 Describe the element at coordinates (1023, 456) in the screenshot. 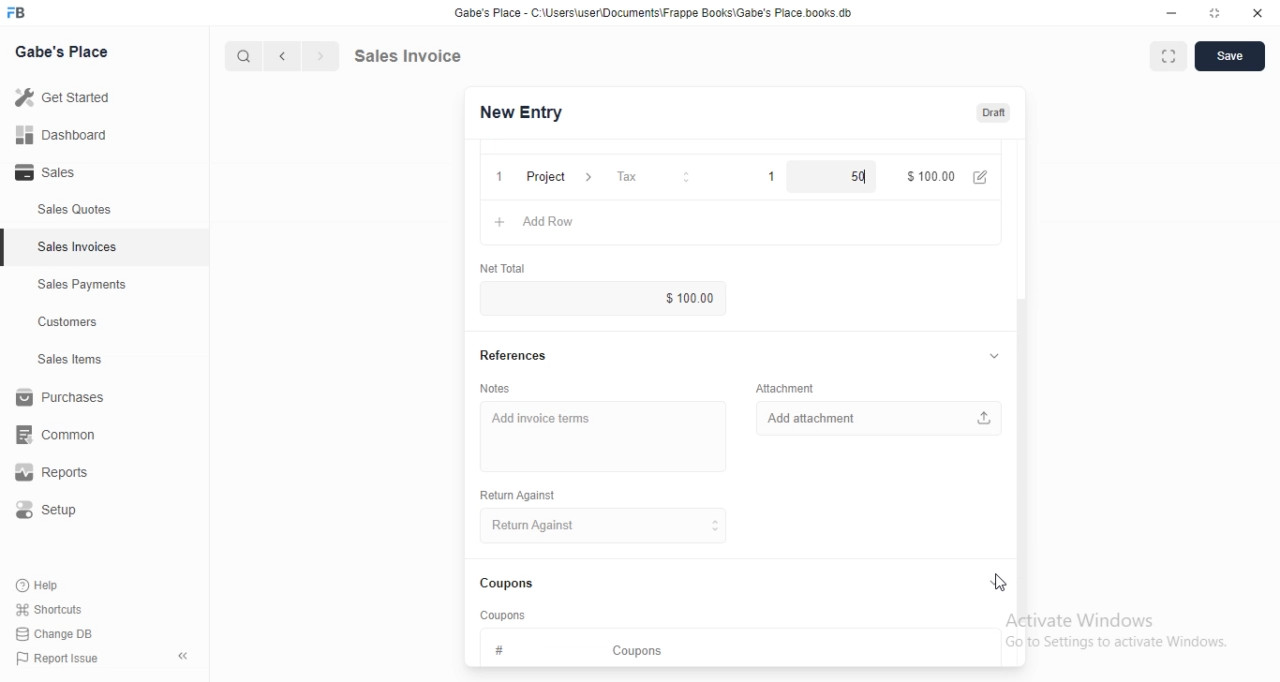

I see `scroll bar` at that location.